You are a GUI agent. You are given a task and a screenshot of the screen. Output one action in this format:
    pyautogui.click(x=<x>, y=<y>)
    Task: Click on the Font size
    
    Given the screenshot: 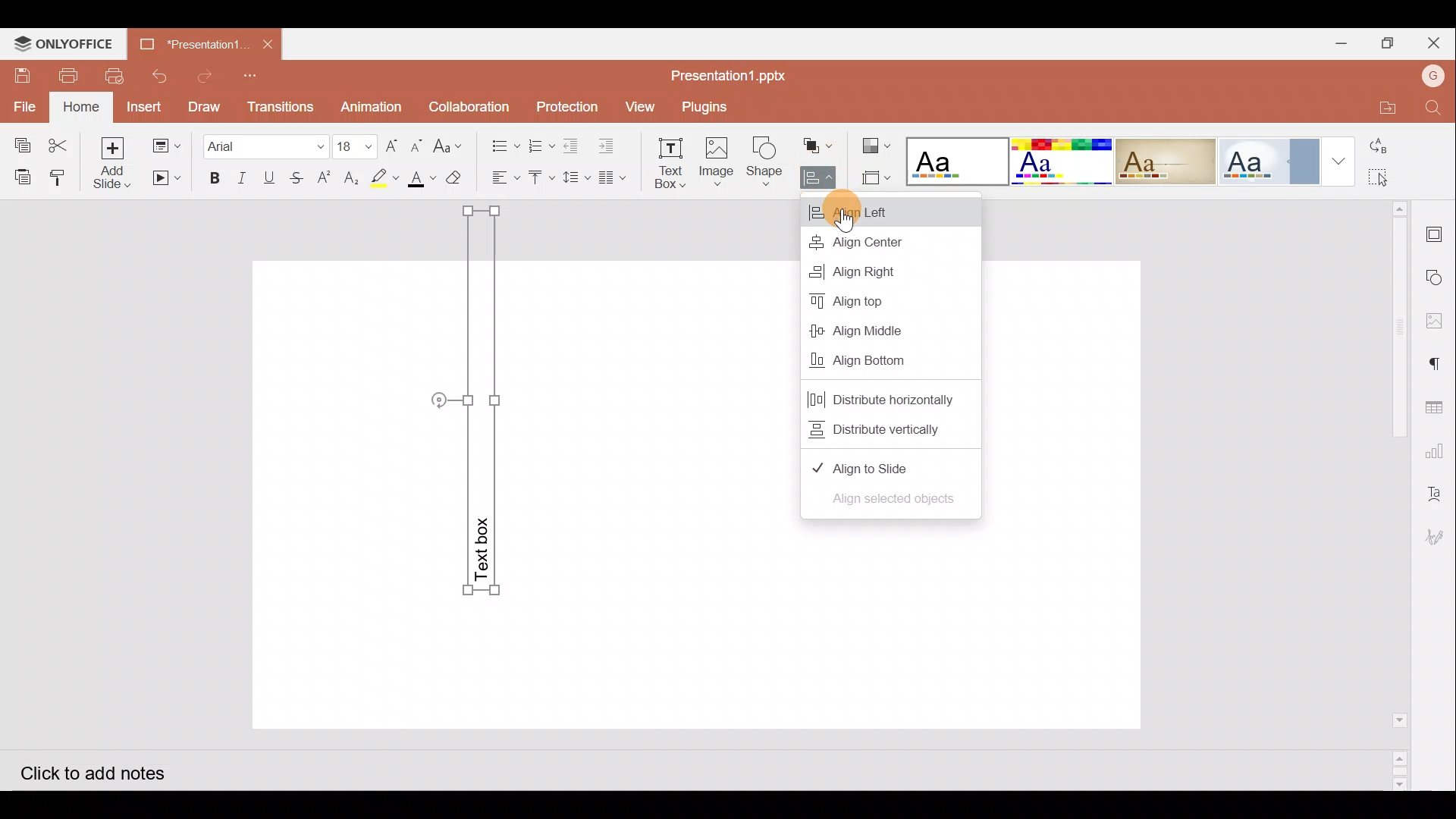 What is the action you would take?
    pyautogui.click(x=356, y=146)
    